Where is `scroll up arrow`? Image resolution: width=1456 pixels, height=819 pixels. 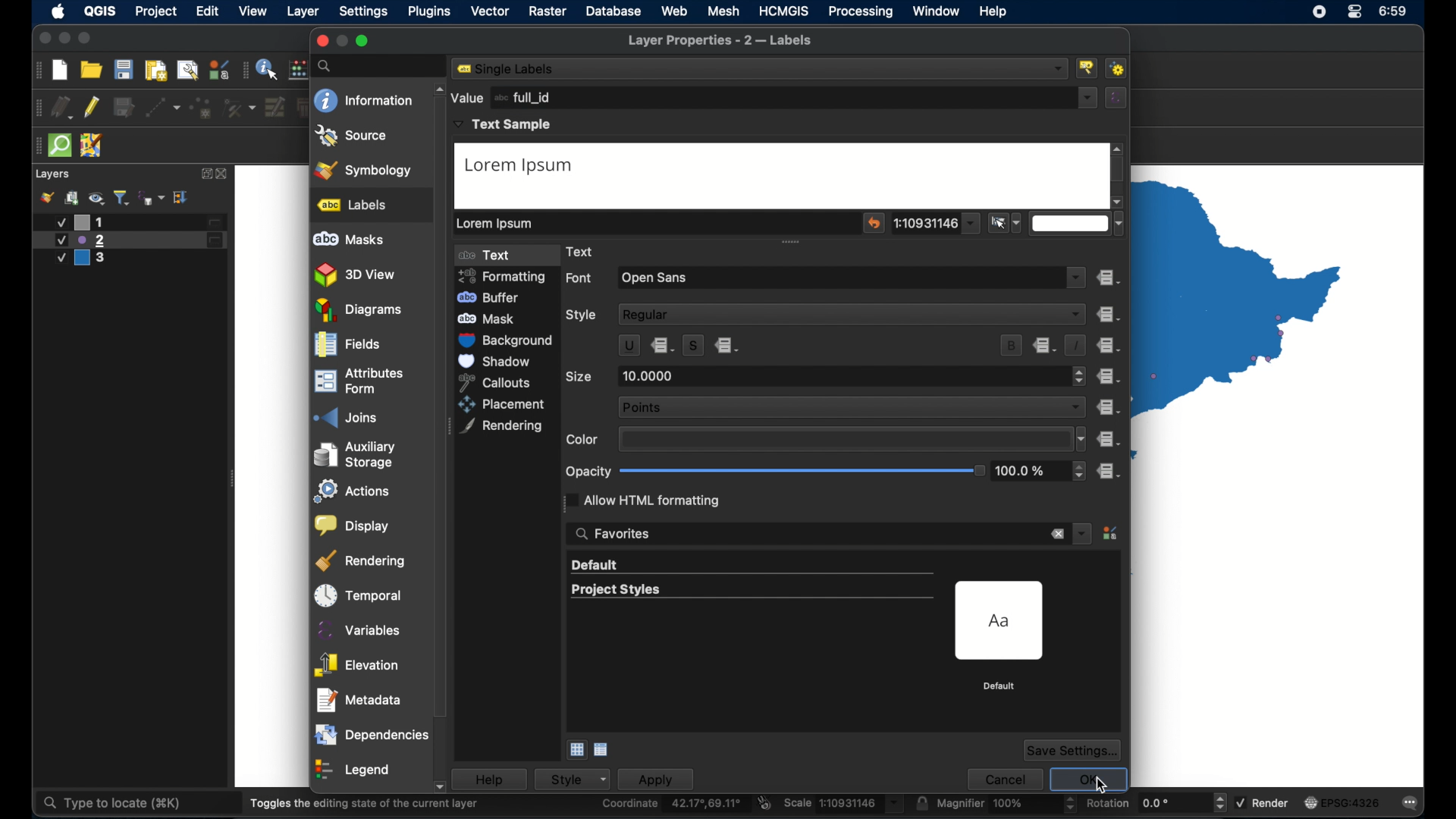 scroll up arrow is located at coordinates (1119, 149).